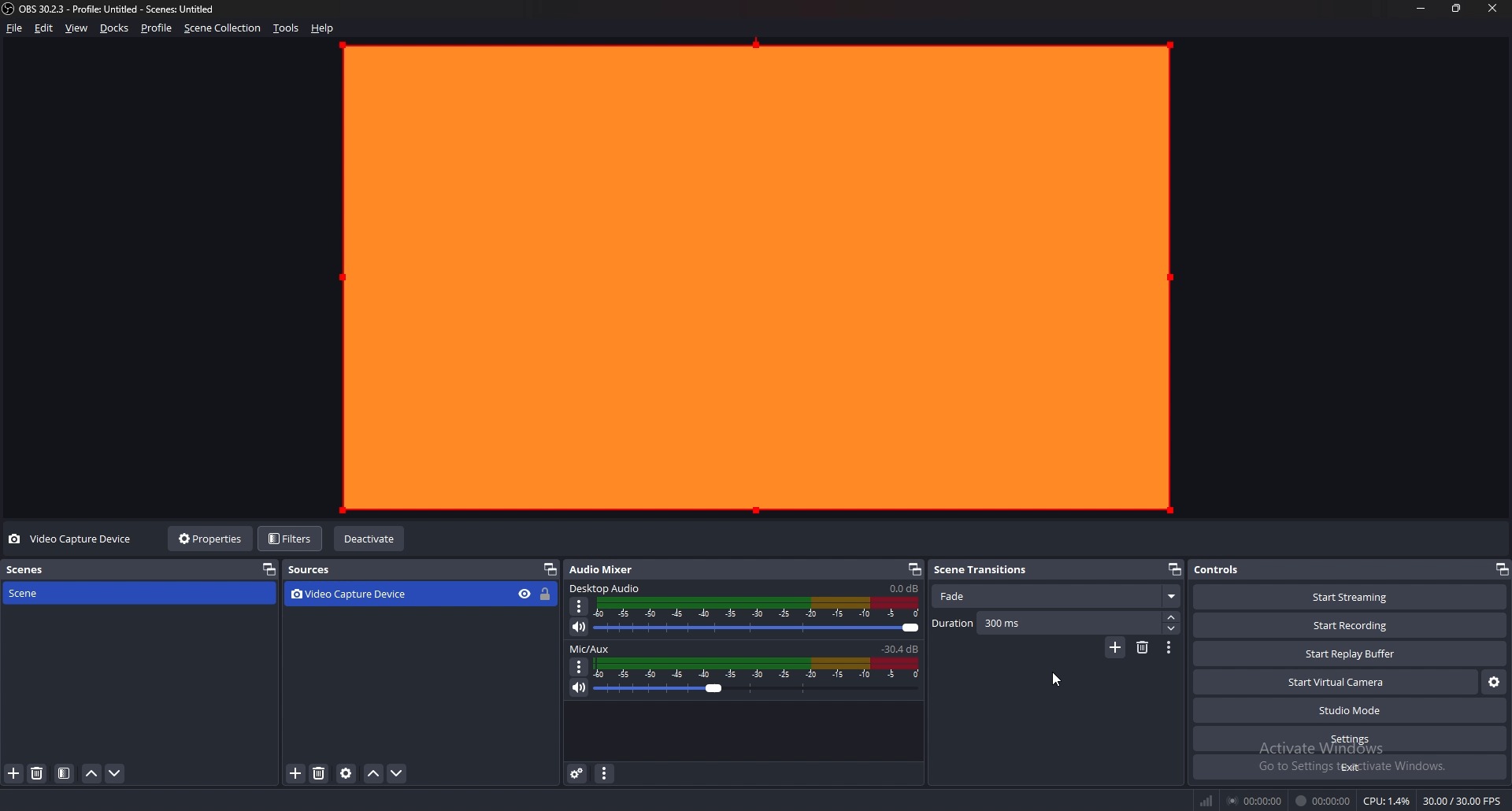 The height and width of the screenshot is (811, 1512). I want to click on profile, so click(157, 28).